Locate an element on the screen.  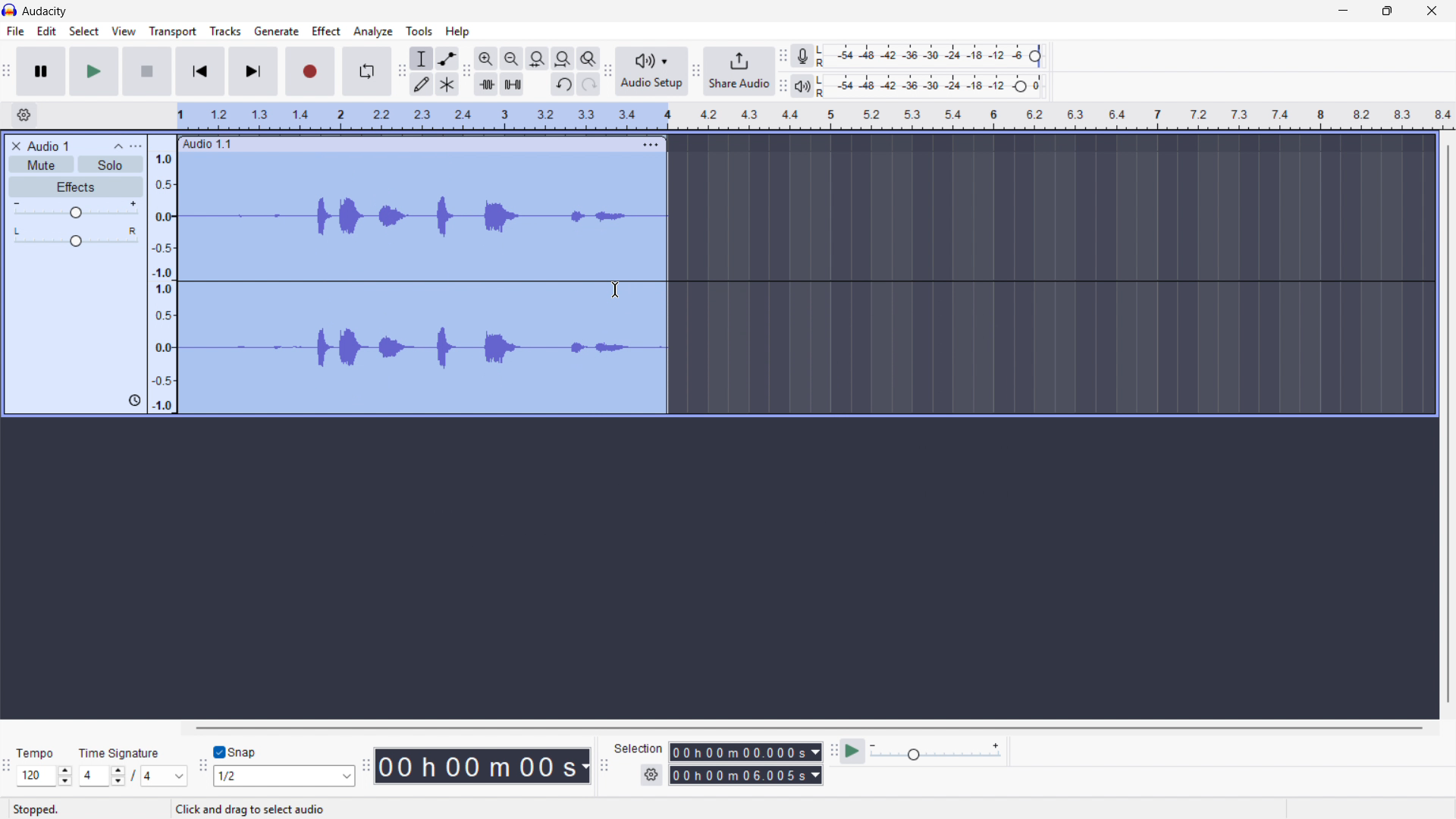
Effects is located at coordinates (77, 188).